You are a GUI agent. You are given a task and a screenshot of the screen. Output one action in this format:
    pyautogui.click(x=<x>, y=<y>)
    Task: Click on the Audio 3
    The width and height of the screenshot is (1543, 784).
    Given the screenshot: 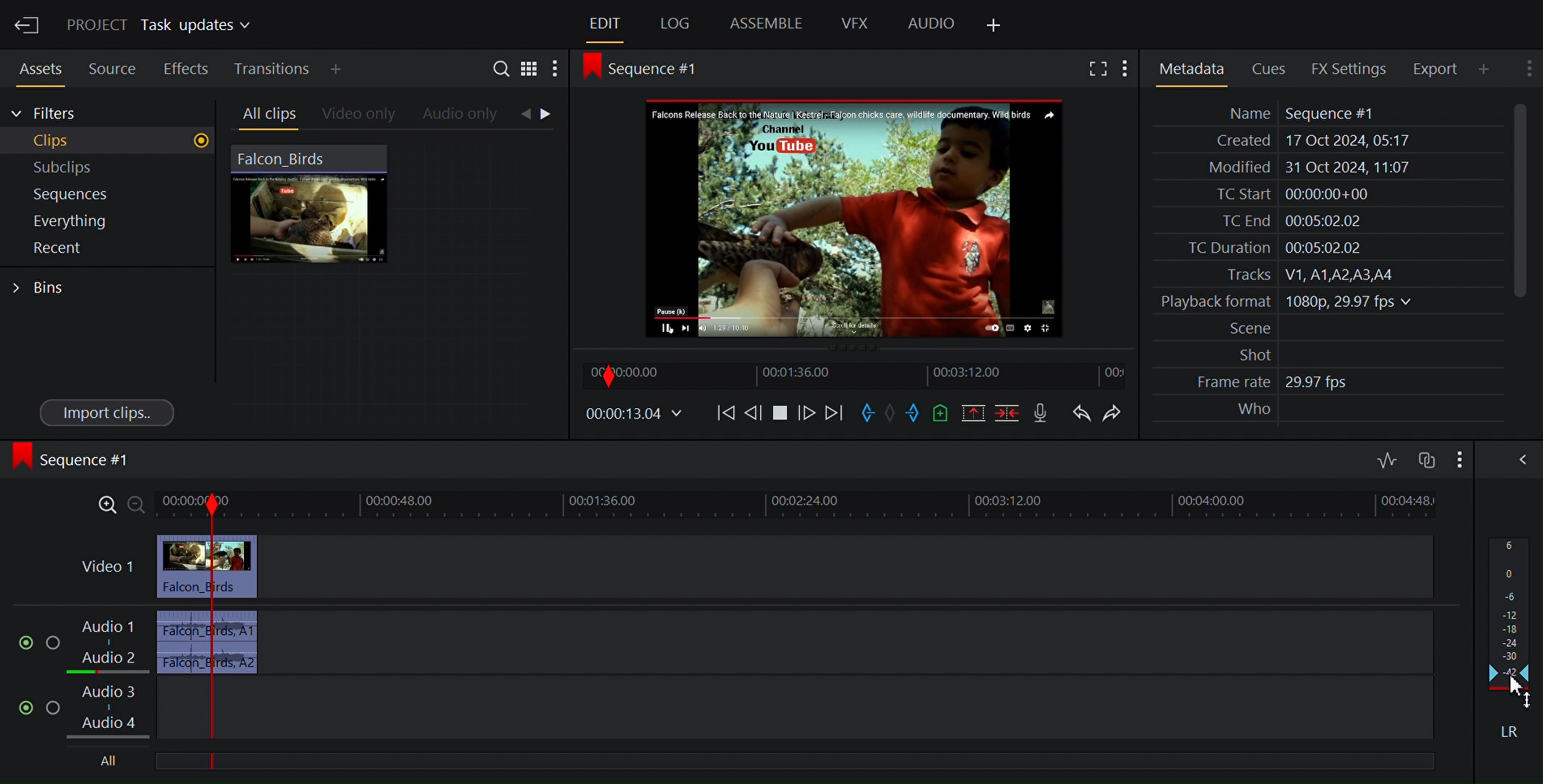 What is the action you would take?
    pyautogui.click(x=113, y=691)
    